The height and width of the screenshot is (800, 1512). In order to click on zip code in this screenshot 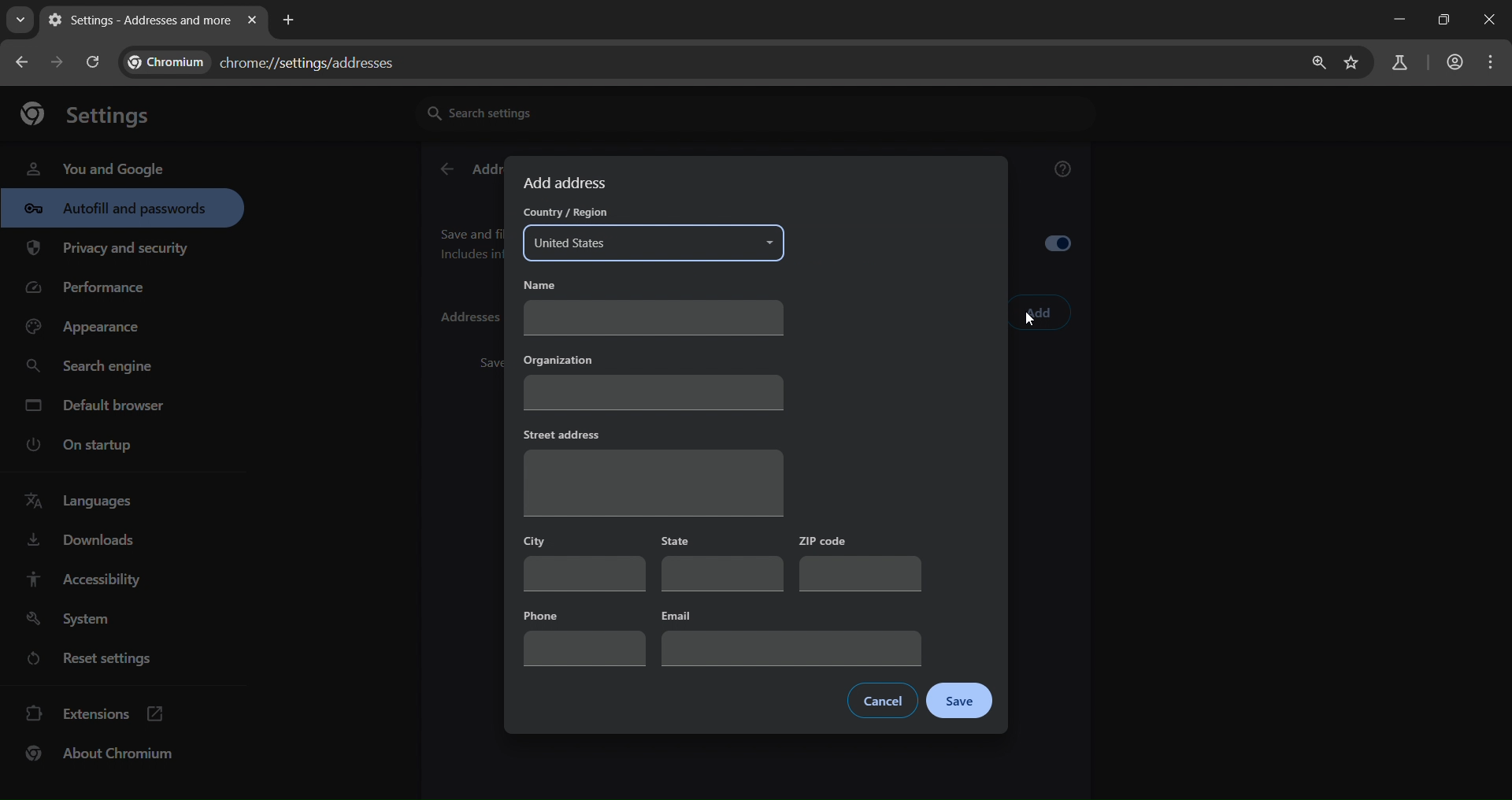, I will do `click(858, 563)`.